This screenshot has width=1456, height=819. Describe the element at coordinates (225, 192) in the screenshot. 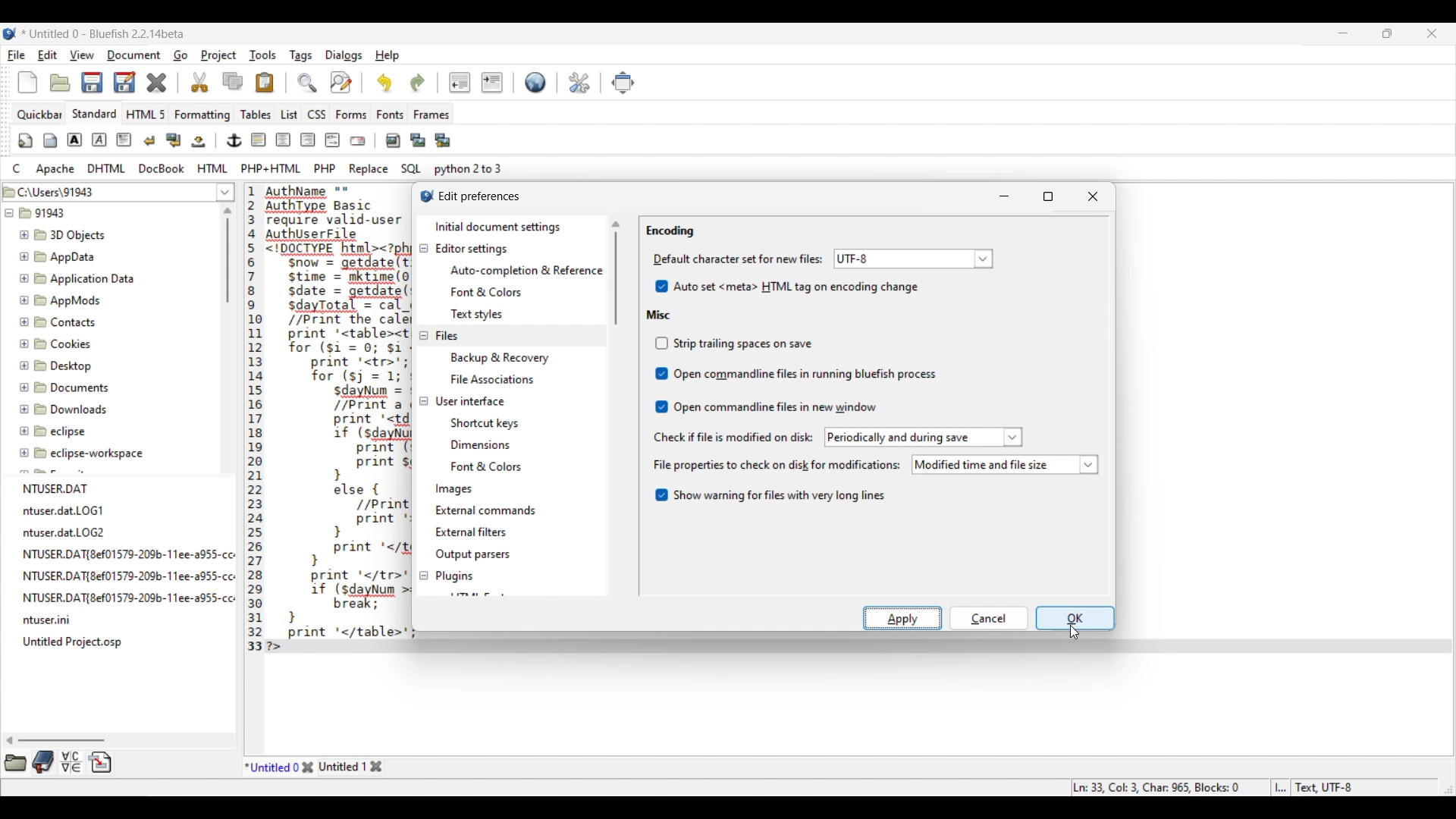

I see `List of folder location` at that location.